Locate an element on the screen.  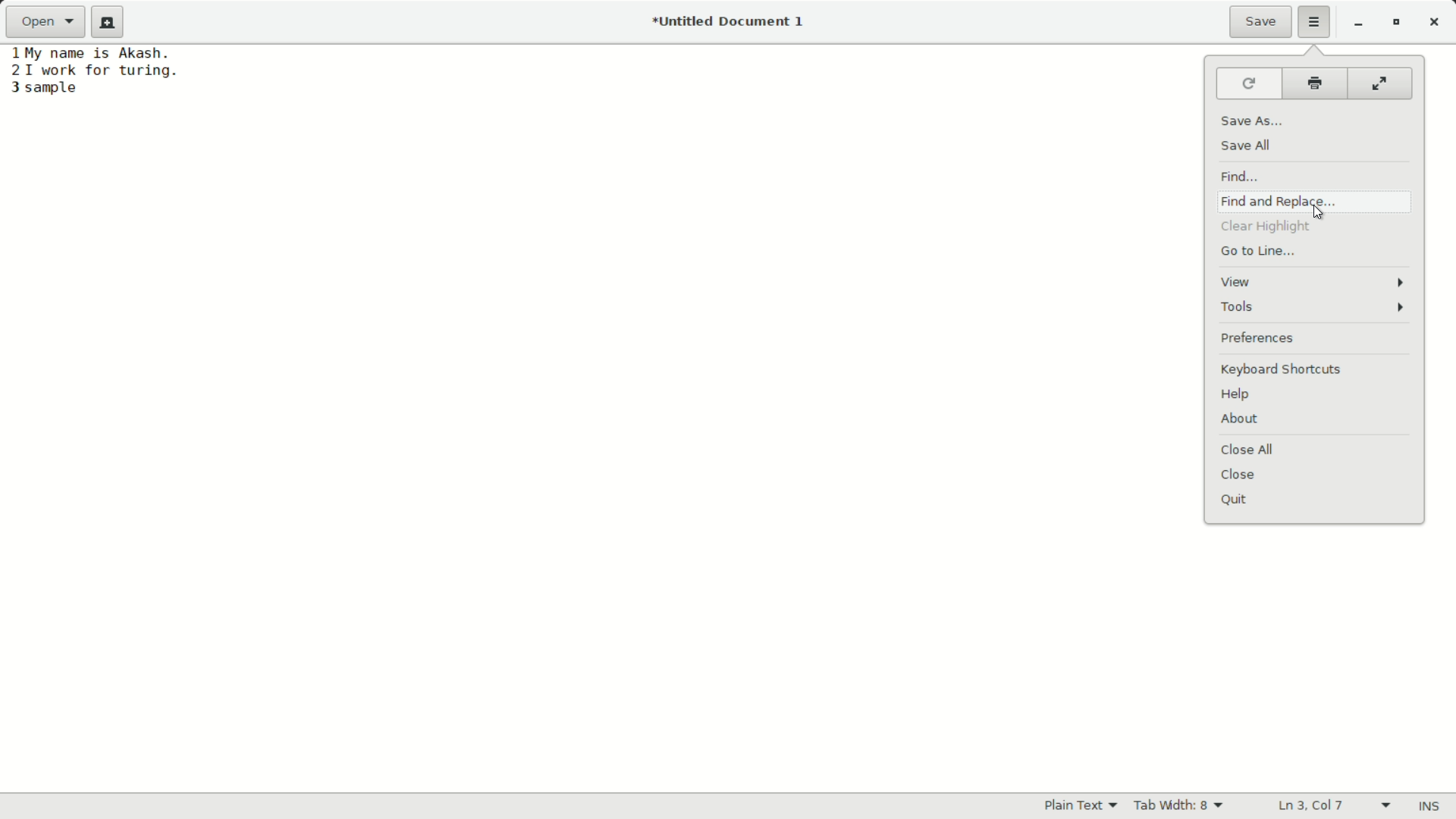
minimize is located at coordinates (1358, 24).